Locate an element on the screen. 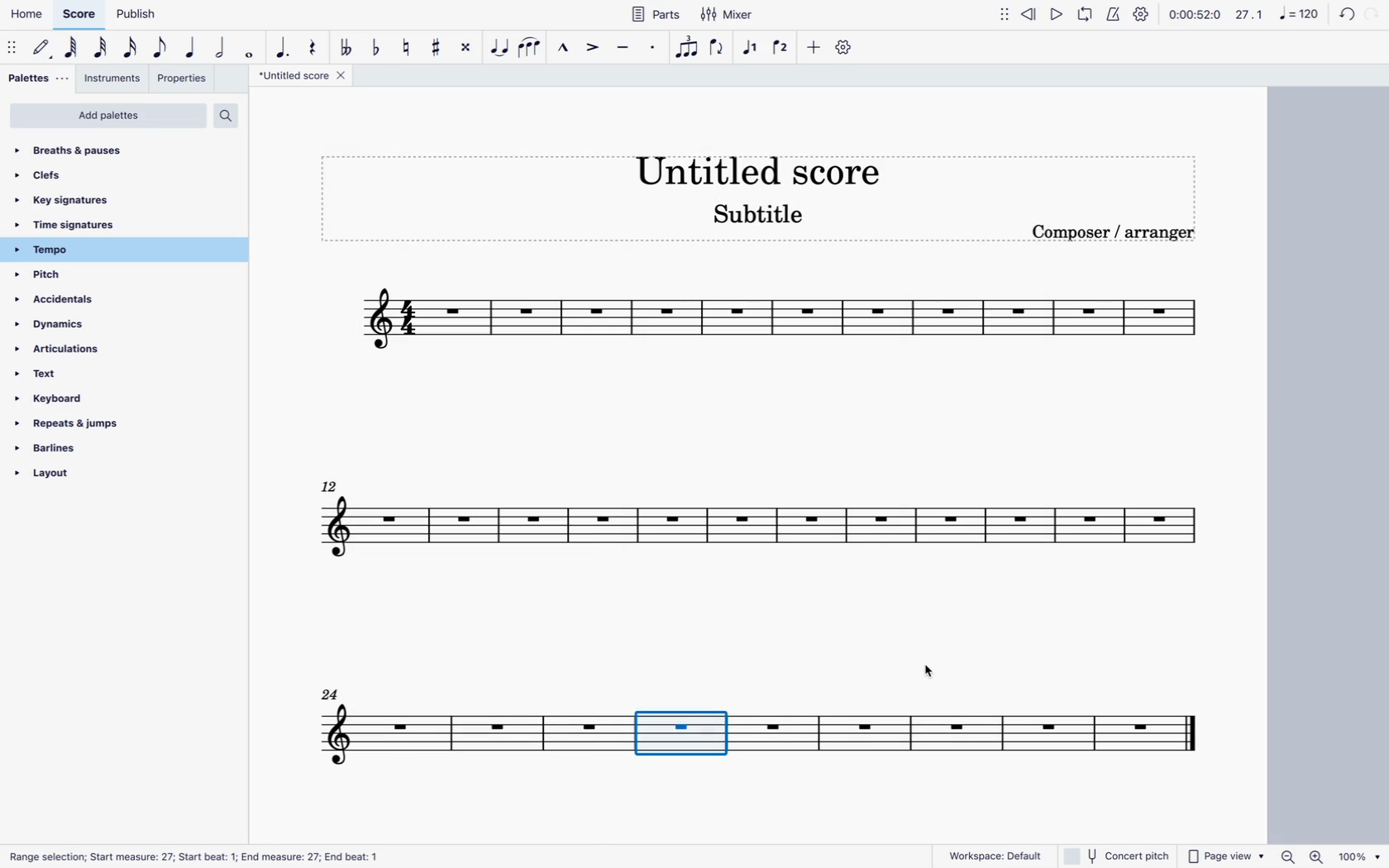  instruments is located at coordinates (112, 80).